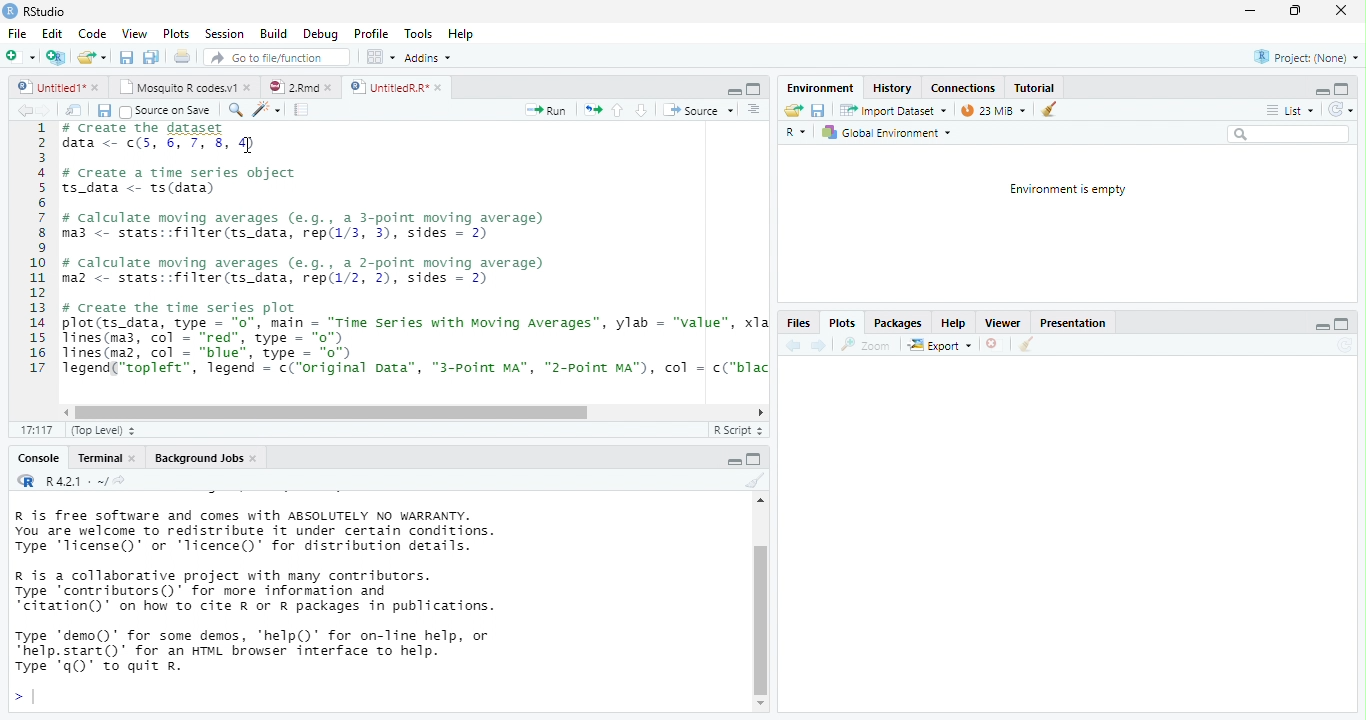 The image size is (1366, 720). I want to click on Connections, so click(962, 88).